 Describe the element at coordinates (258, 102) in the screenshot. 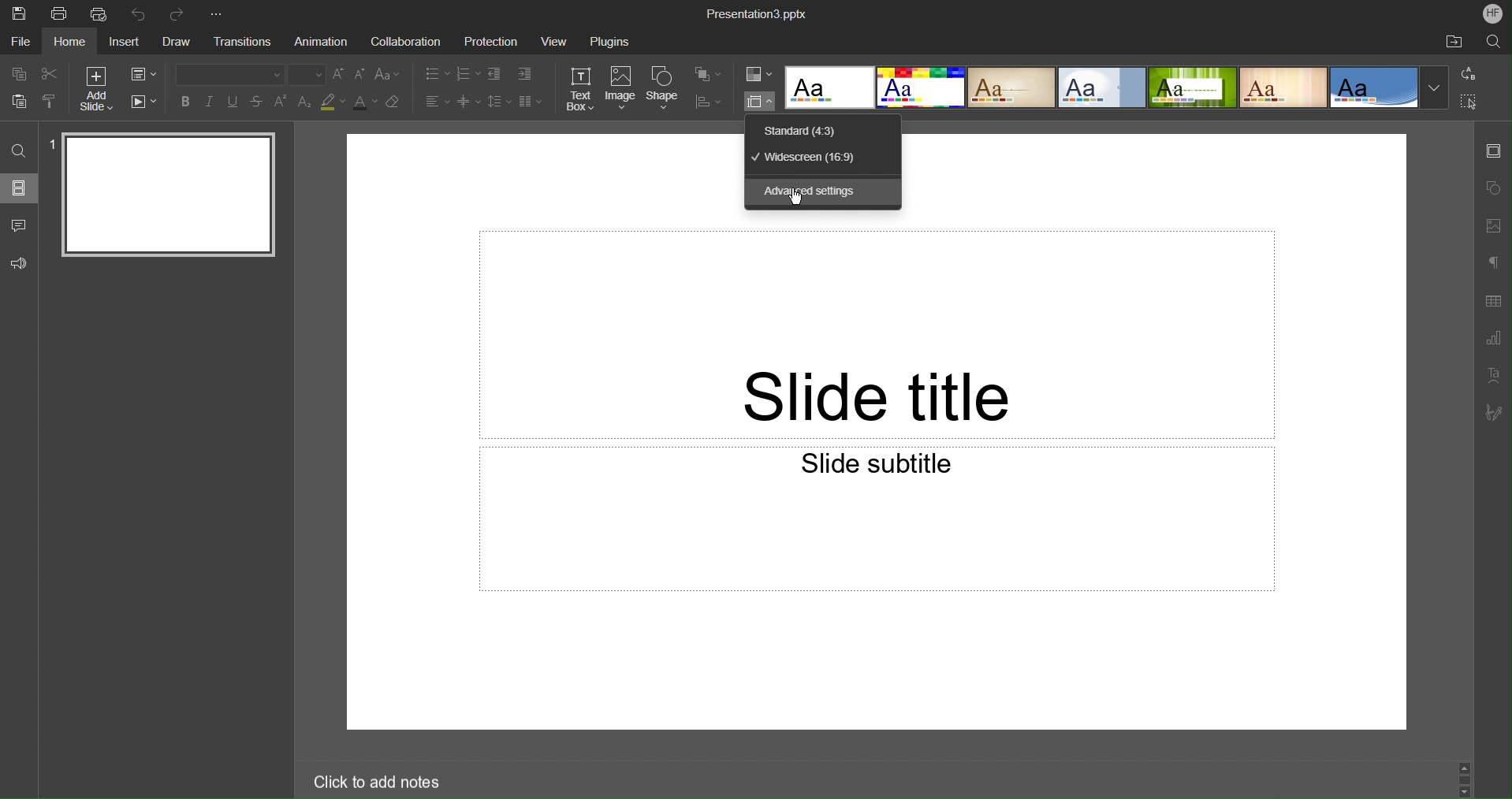

I see `Strikethrough` at that location.